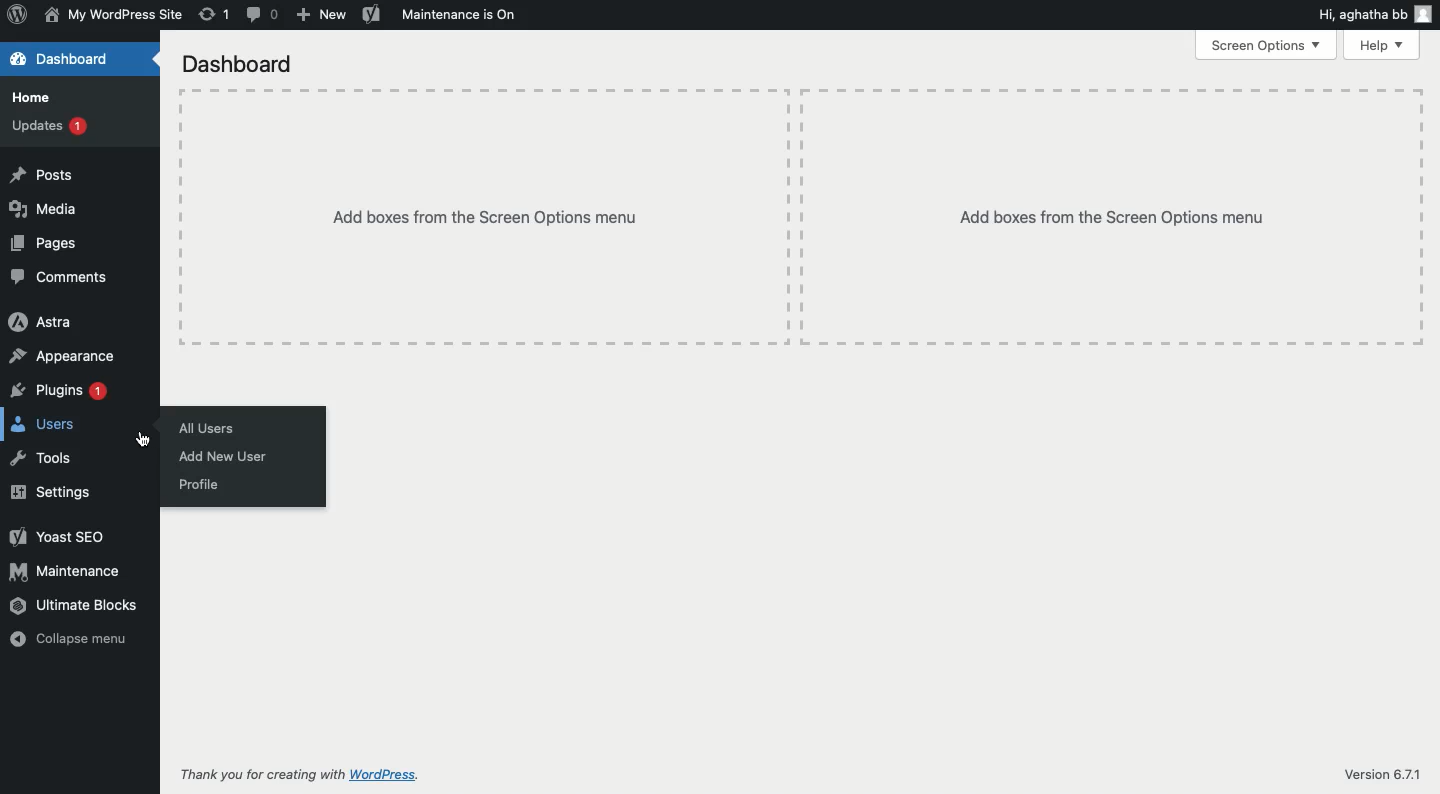 The height and width of the screenshot is (794, 1440). What do you see at coordinates (76, 609) in the screenshot?
I see `Ultimate blocks` at bounding box center [76, 609].